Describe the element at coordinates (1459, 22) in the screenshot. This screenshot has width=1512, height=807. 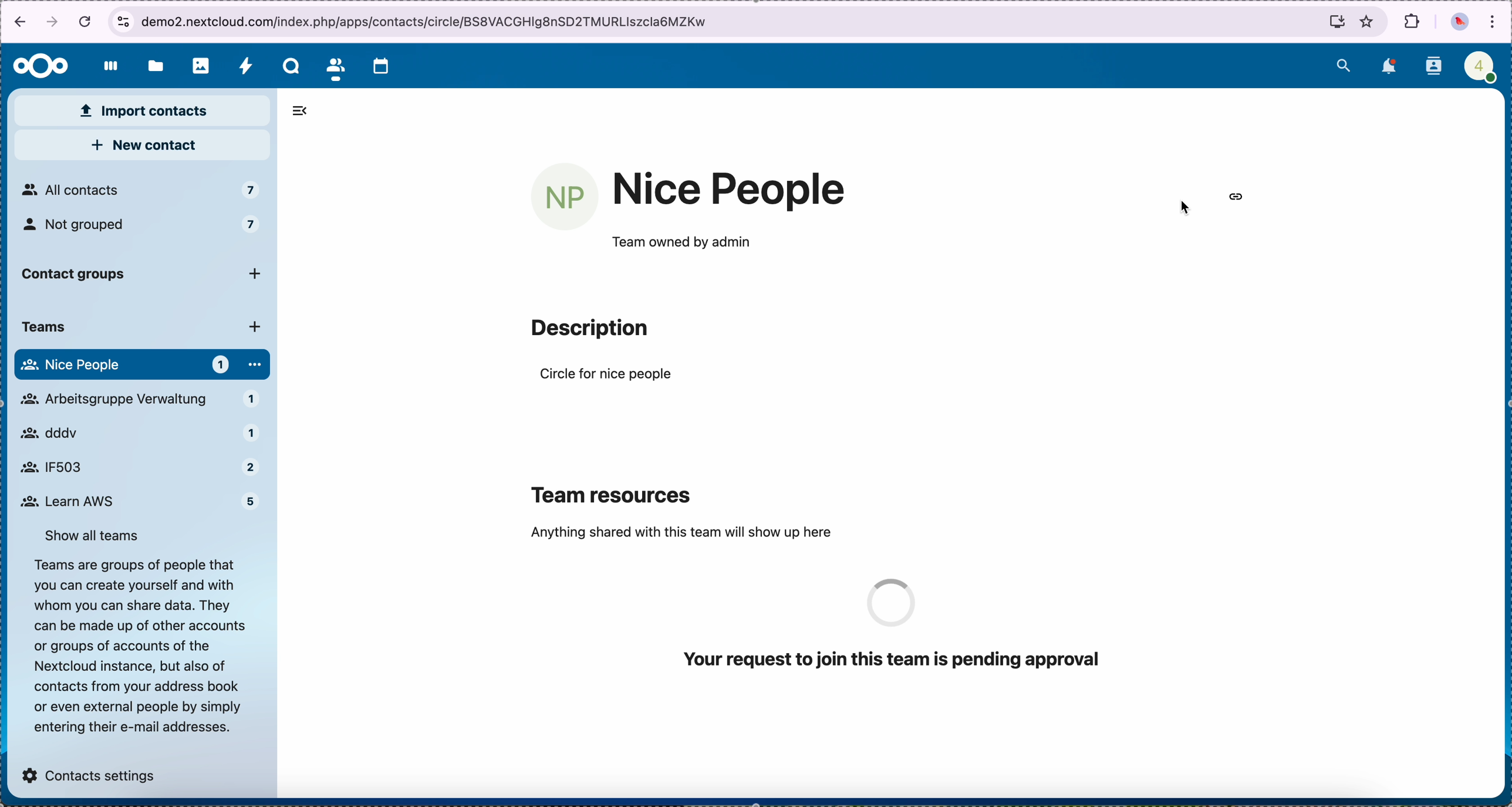
I see `profile picture` at that location.